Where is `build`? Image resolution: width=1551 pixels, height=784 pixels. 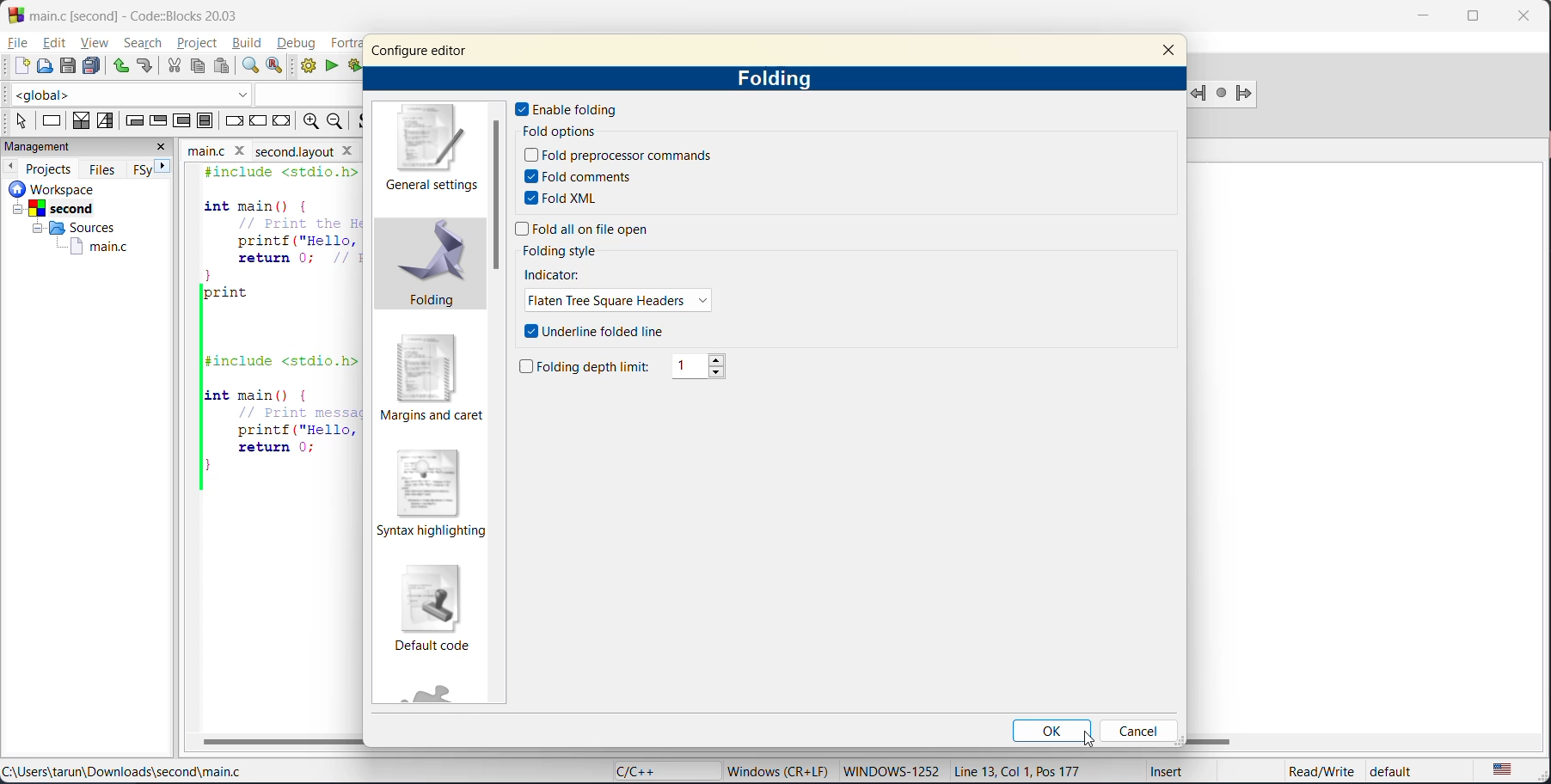 build is located at coordinates (310, 68).